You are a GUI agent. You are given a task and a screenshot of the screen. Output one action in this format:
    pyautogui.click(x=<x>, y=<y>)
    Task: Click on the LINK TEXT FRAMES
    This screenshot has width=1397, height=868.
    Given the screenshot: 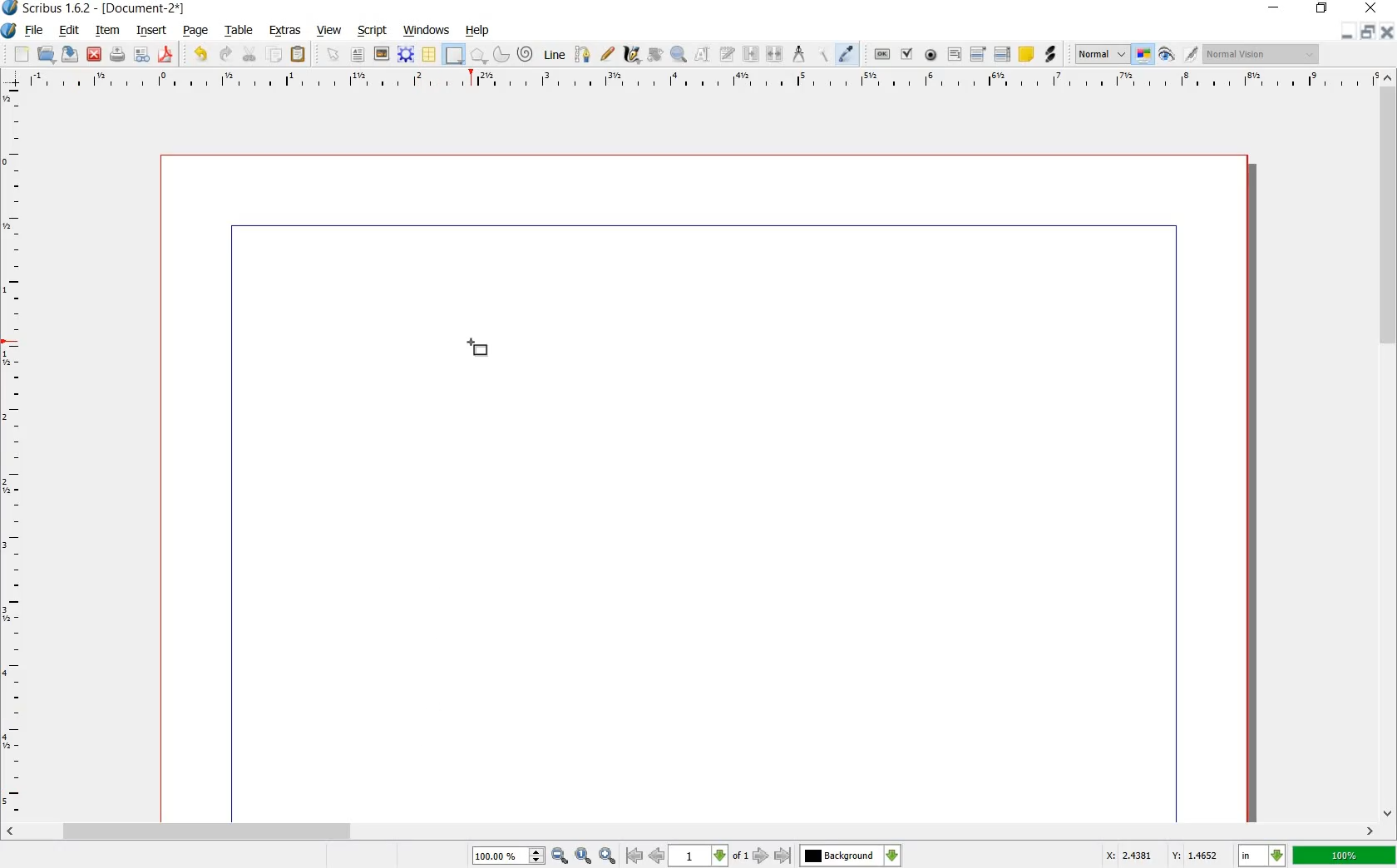 What is the action you would take?
    pyautogui.click(x=751, y=55)
    